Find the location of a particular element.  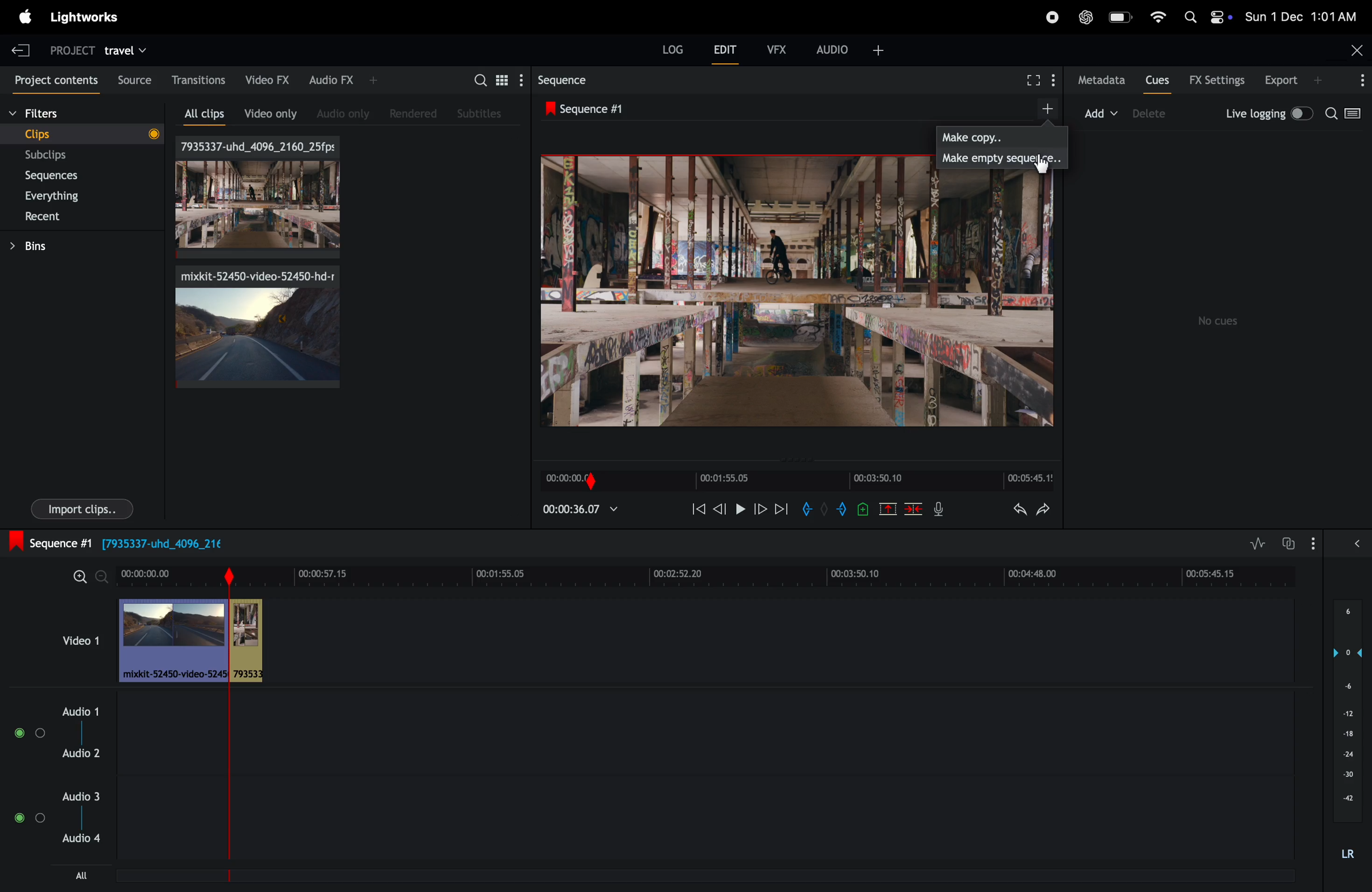

Horizontal scroll bar is located at coordinates (310, 879).